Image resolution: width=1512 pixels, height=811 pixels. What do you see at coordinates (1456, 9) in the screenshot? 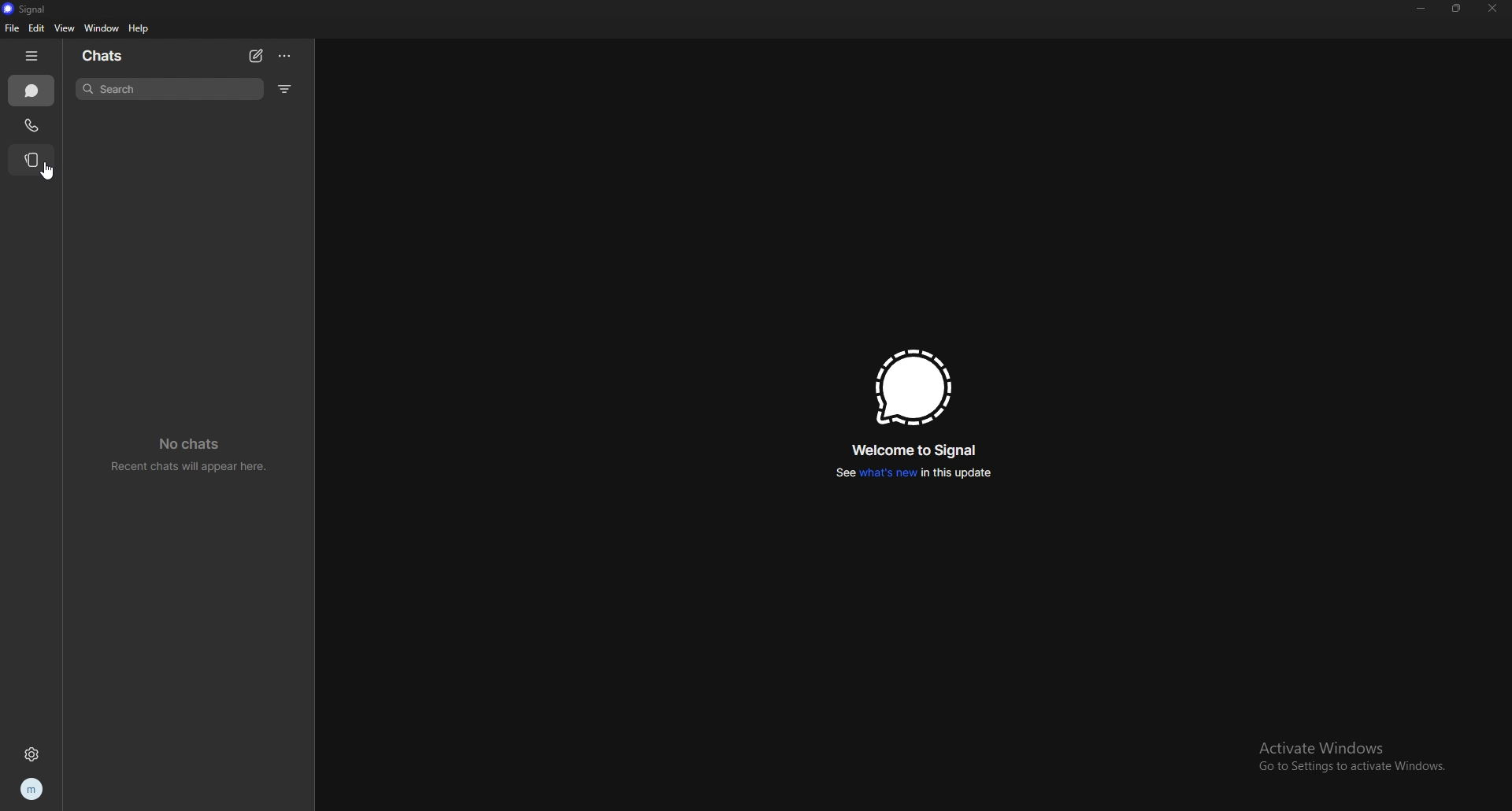
I see `resize` at bounding box center [1456, 9].